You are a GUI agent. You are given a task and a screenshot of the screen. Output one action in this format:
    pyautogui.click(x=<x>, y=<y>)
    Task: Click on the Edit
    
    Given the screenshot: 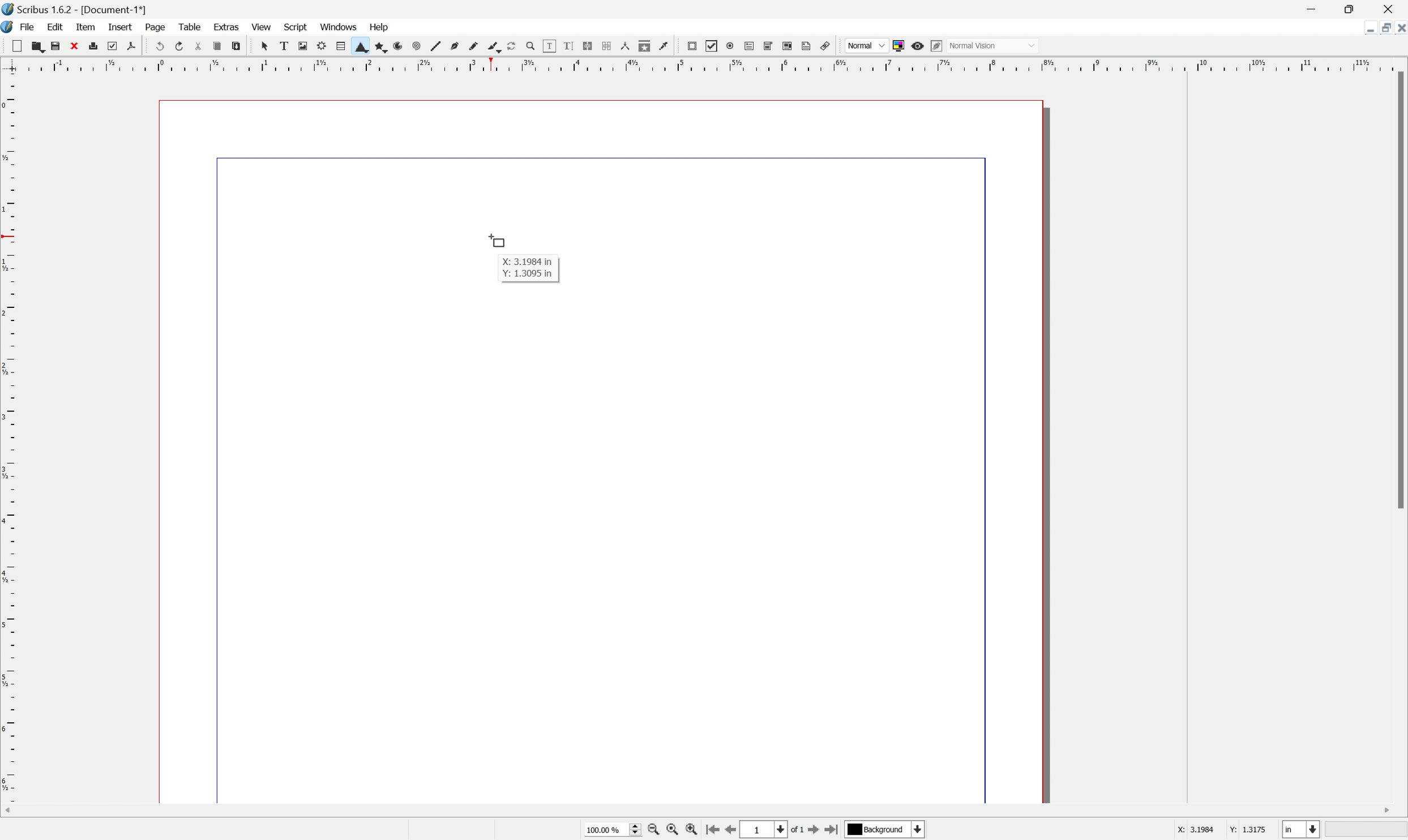 What is the action you would take?
    pyautogui.click(x=57, y=27)
    